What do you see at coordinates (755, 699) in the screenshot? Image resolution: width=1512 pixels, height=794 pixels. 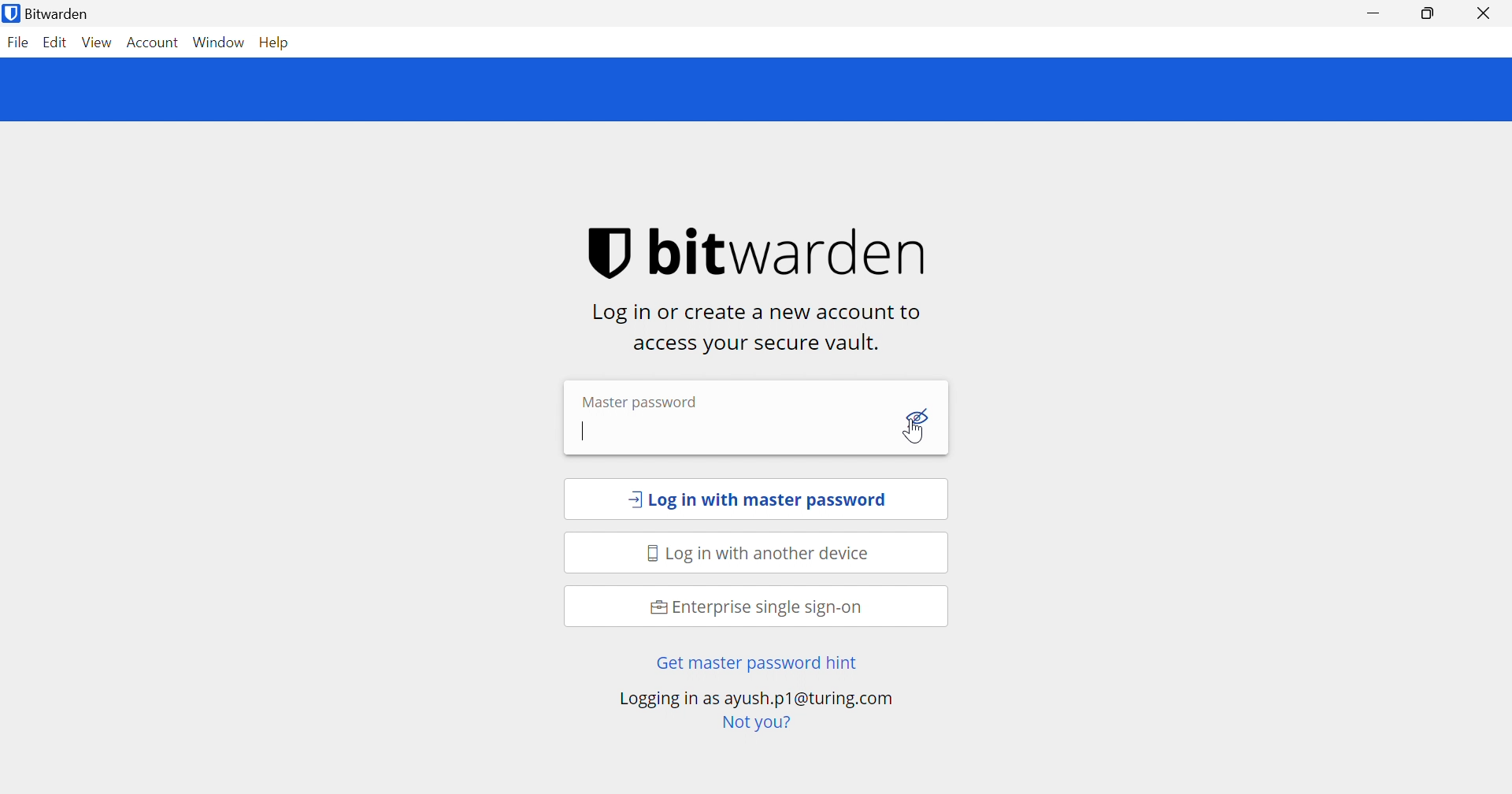 I see `Loging in as ayush.p1@turing .com` at bounding box center [755, 699].